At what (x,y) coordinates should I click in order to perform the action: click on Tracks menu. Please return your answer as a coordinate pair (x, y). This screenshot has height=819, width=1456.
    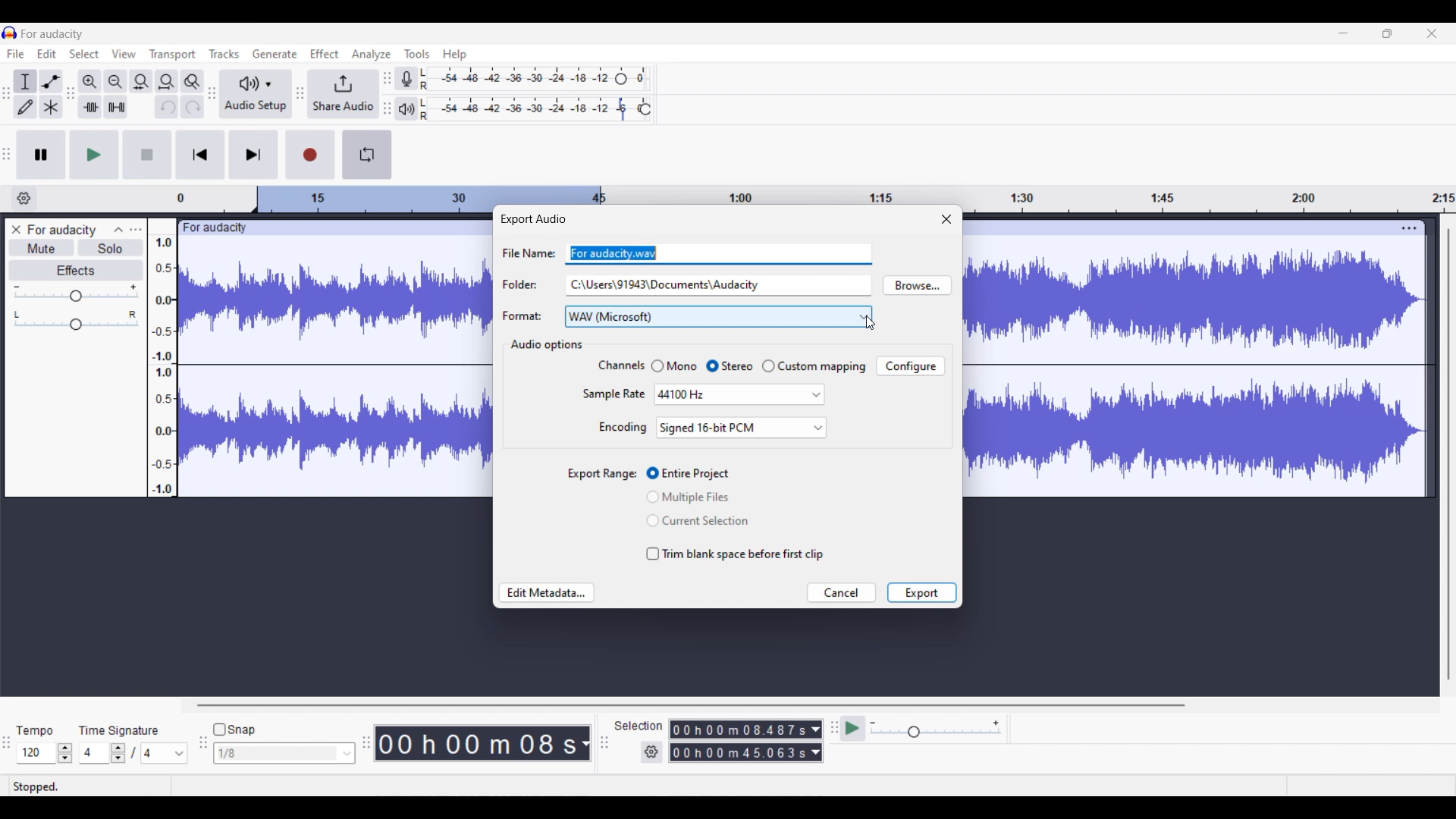
    Looking at the image, I should click on (224, 54).